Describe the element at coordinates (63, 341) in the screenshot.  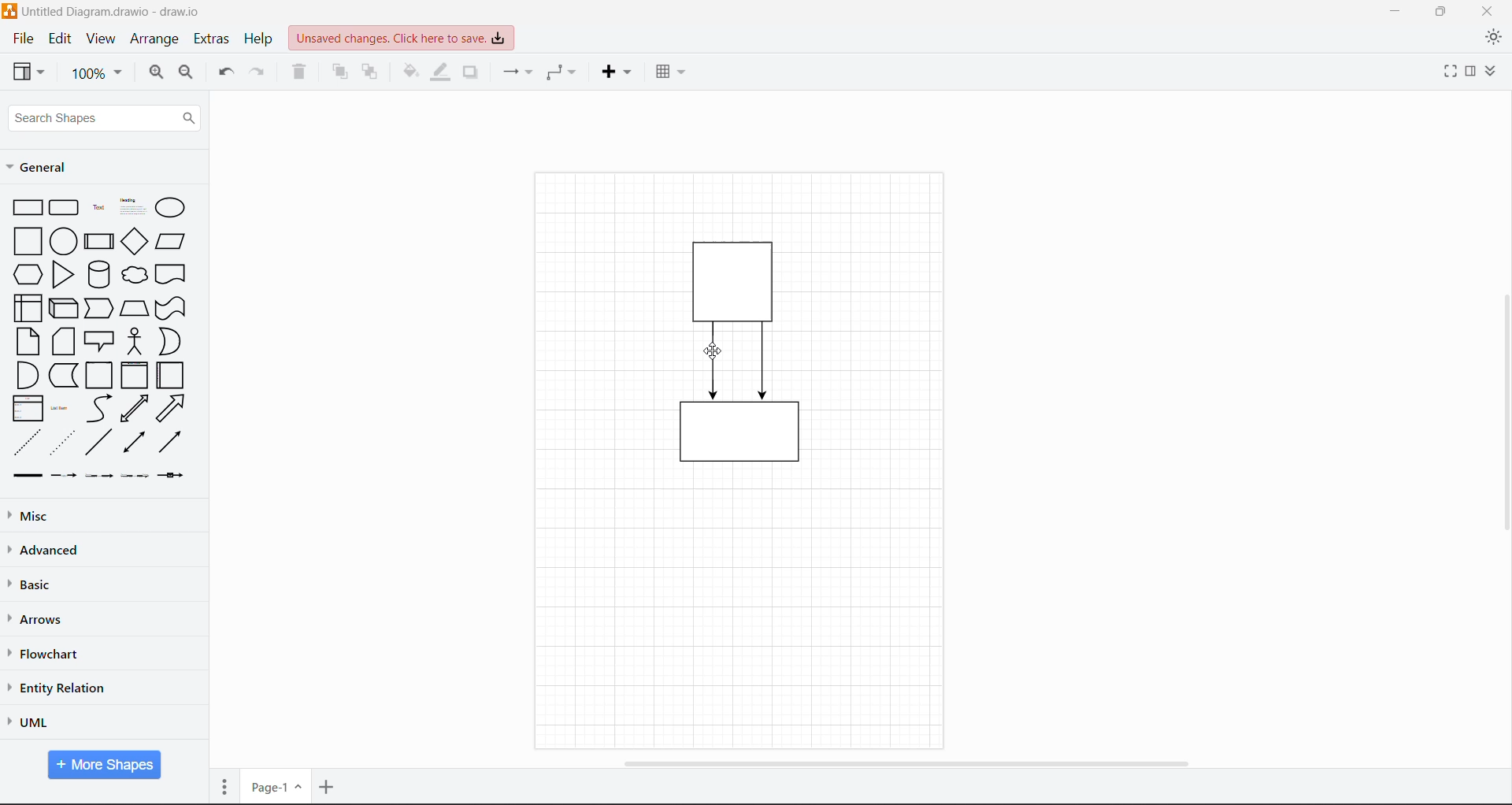
I see `Card` at that location.